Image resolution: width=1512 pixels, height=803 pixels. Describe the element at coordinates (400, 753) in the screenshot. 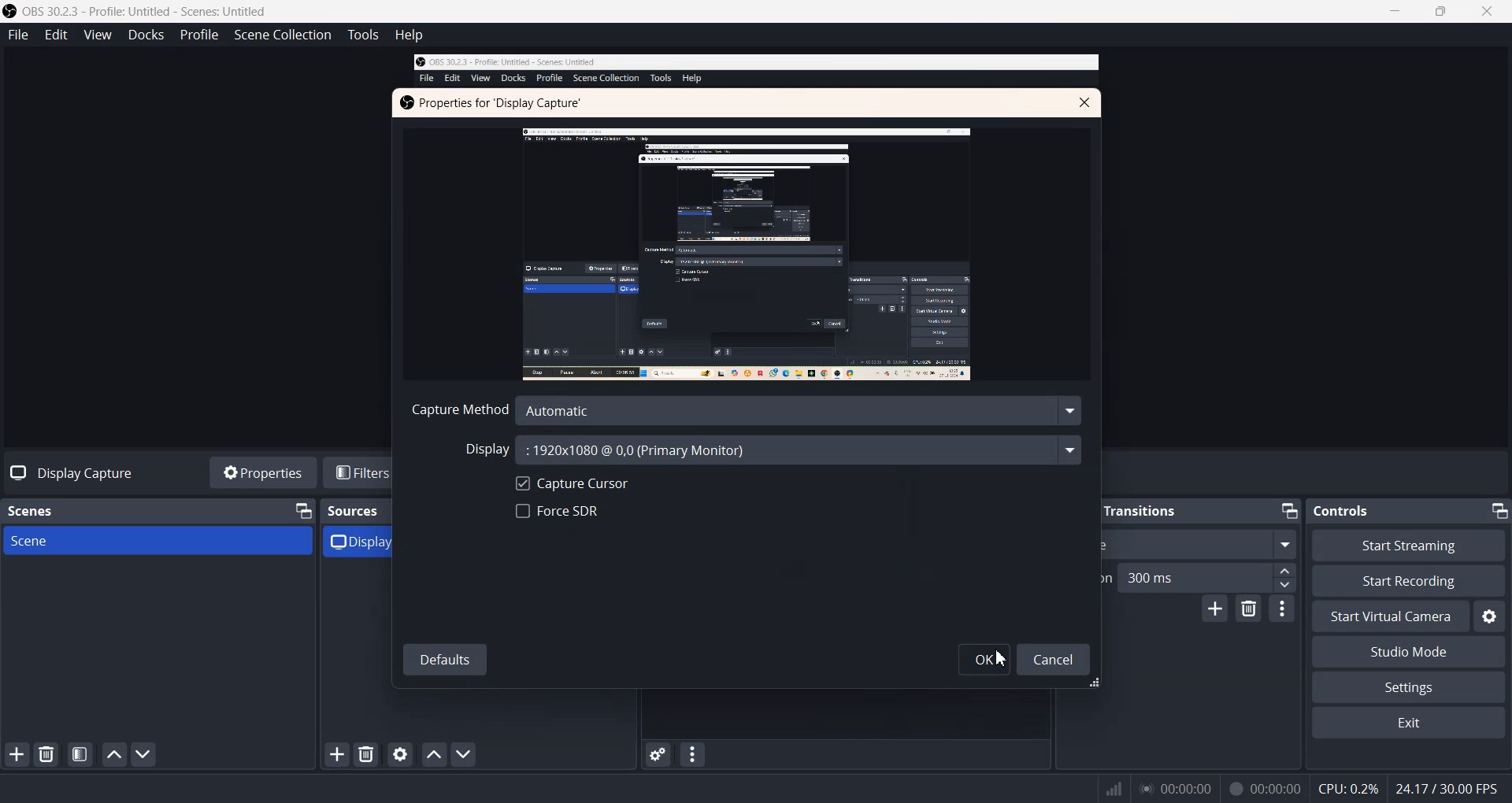

I see `Open source Properties` at that location.